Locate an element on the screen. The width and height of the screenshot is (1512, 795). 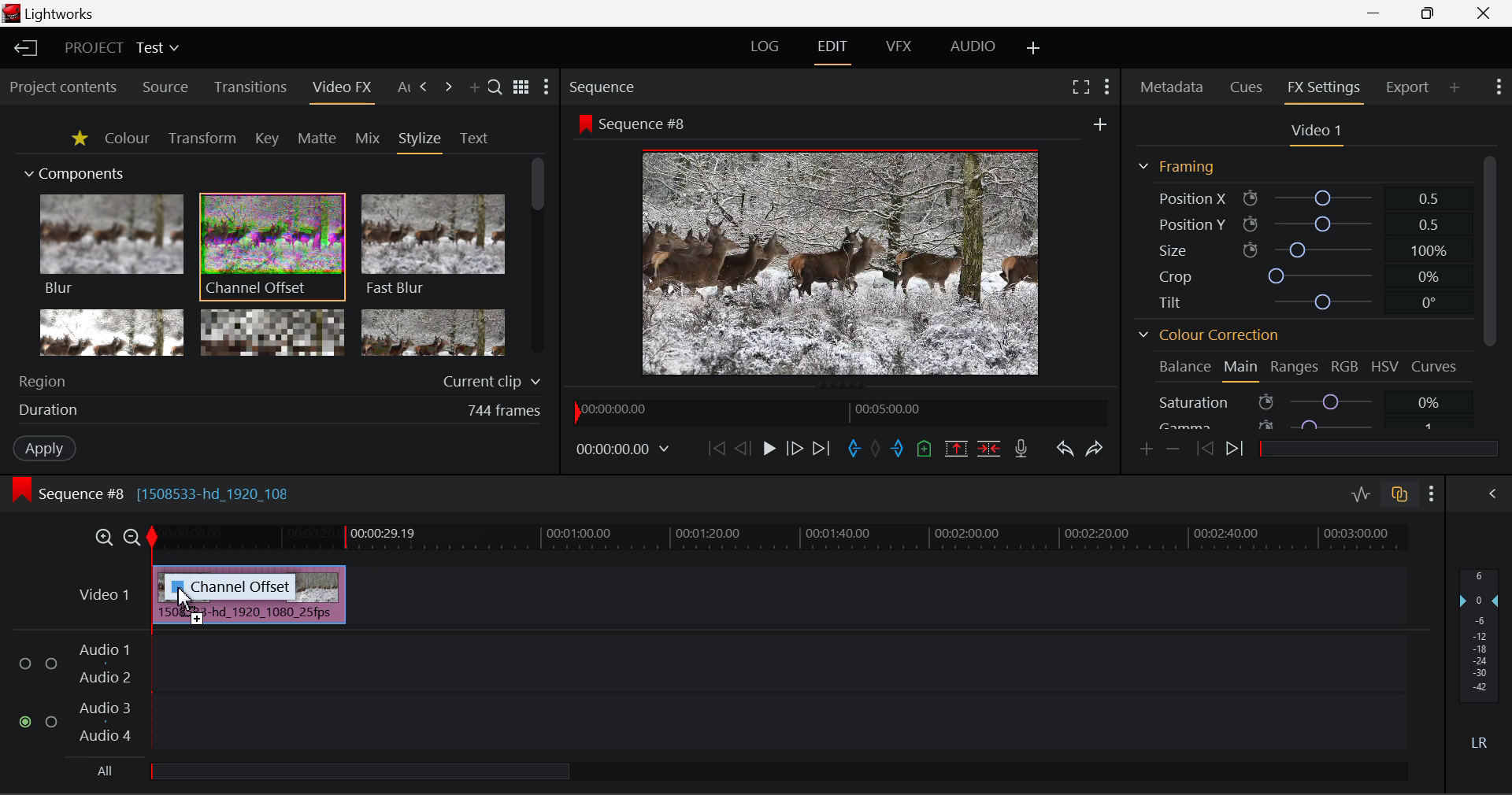
Frame Time is located at coordinates (623, 451).